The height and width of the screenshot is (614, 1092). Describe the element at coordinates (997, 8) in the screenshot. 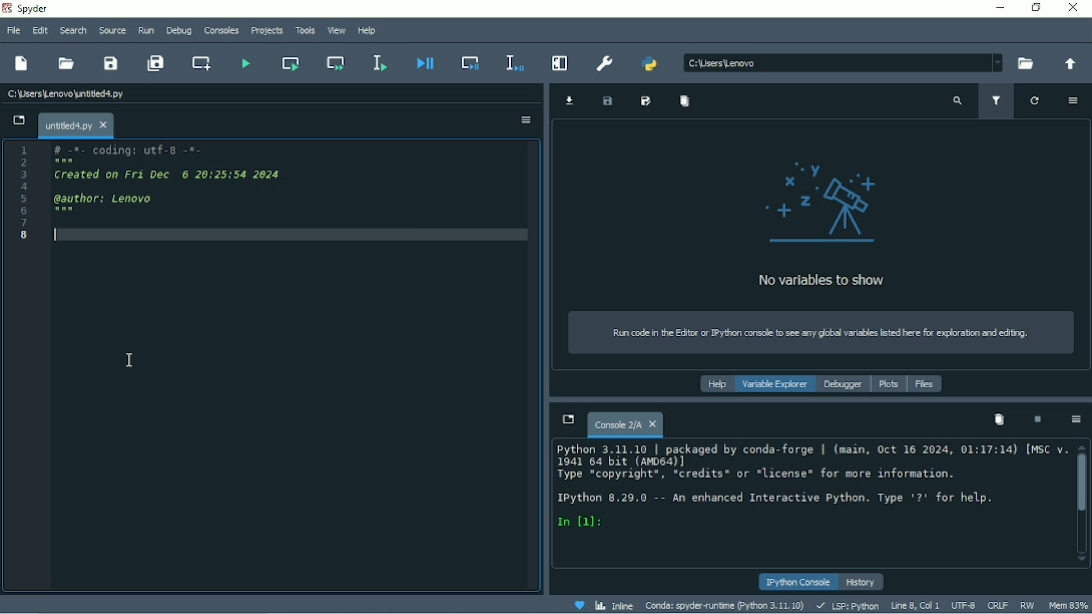

I see `Minimize` at that location.